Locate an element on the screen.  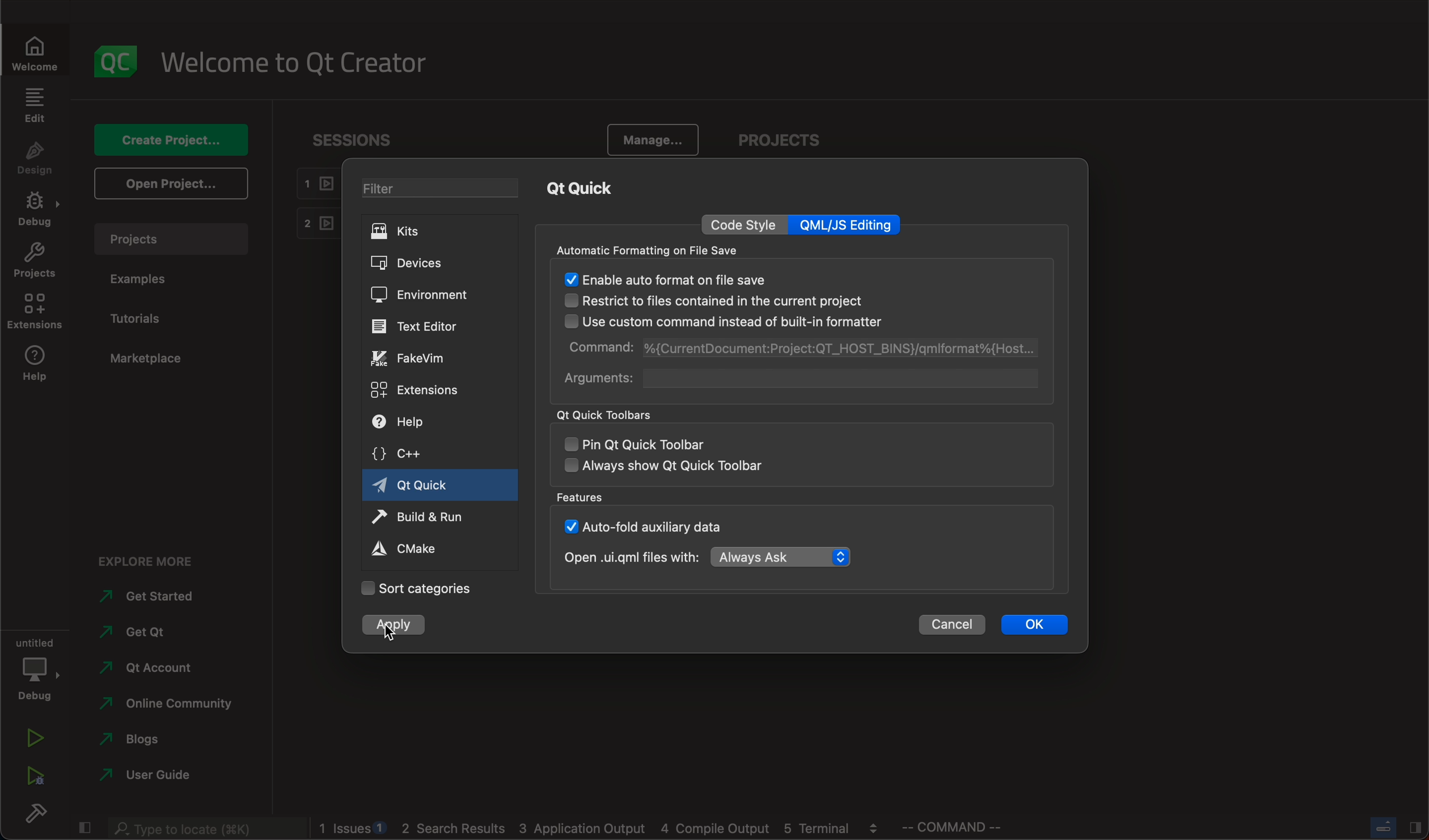
logs is located at coordinates (603, 830).